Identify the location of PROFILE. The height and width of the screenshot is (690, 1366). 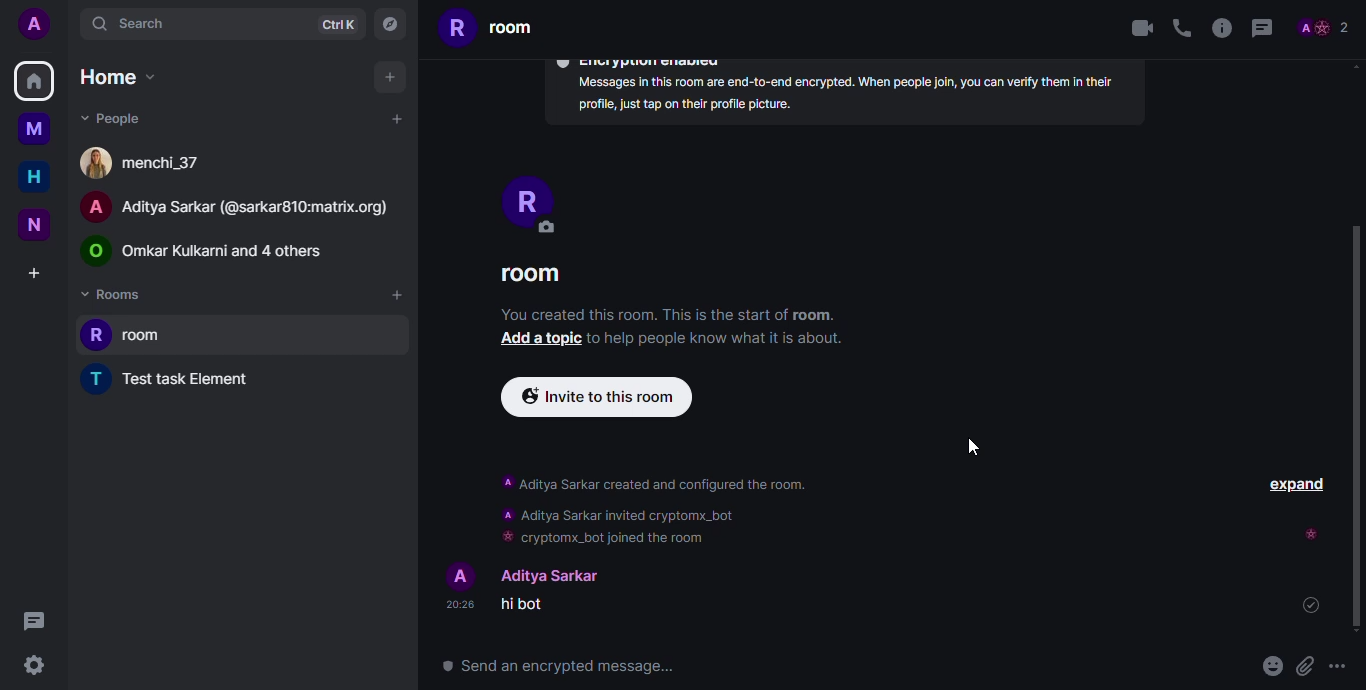
(541, 210).